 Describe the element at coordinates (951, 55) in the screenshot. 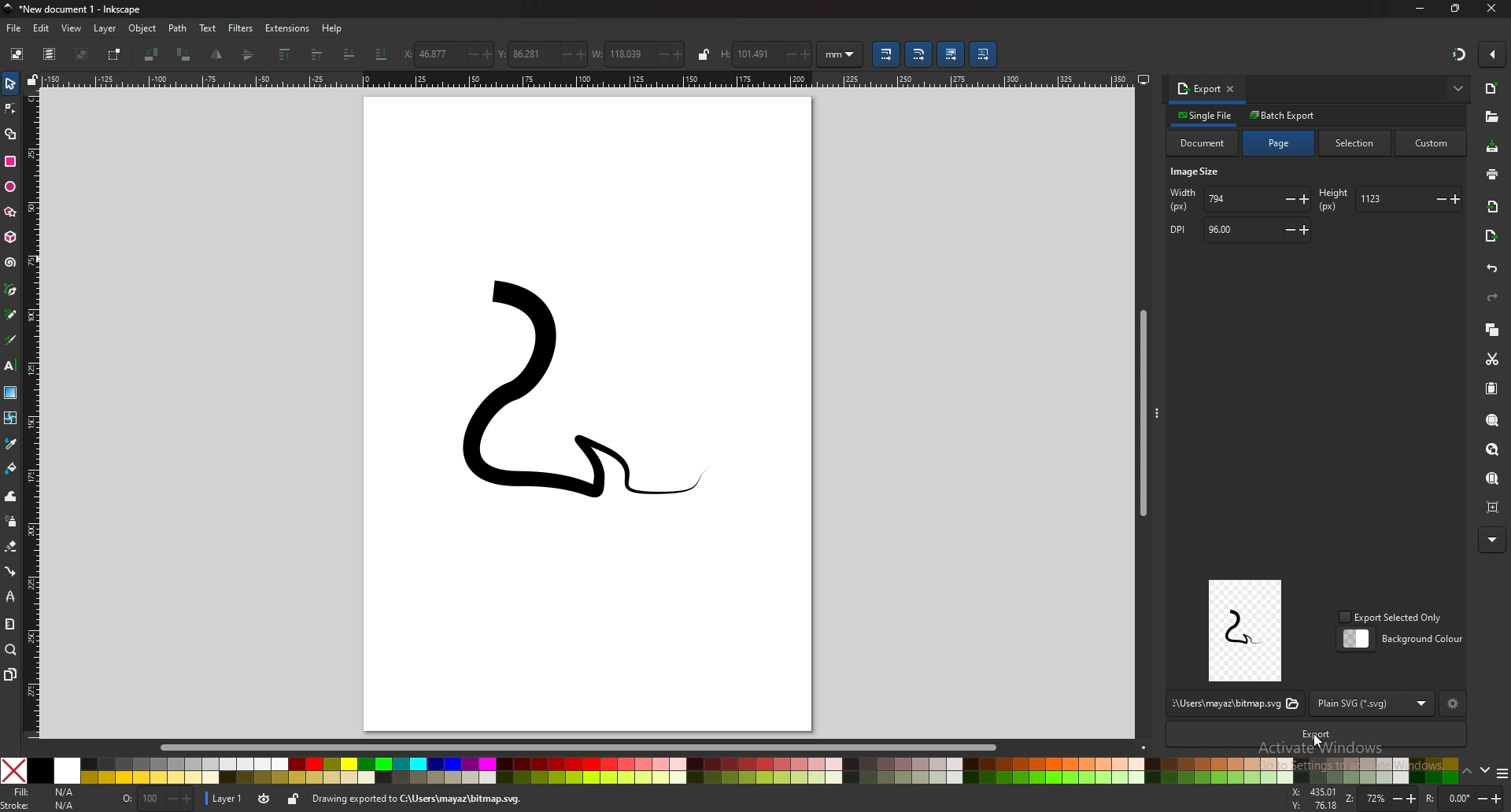

I see `move gradient` at that location.